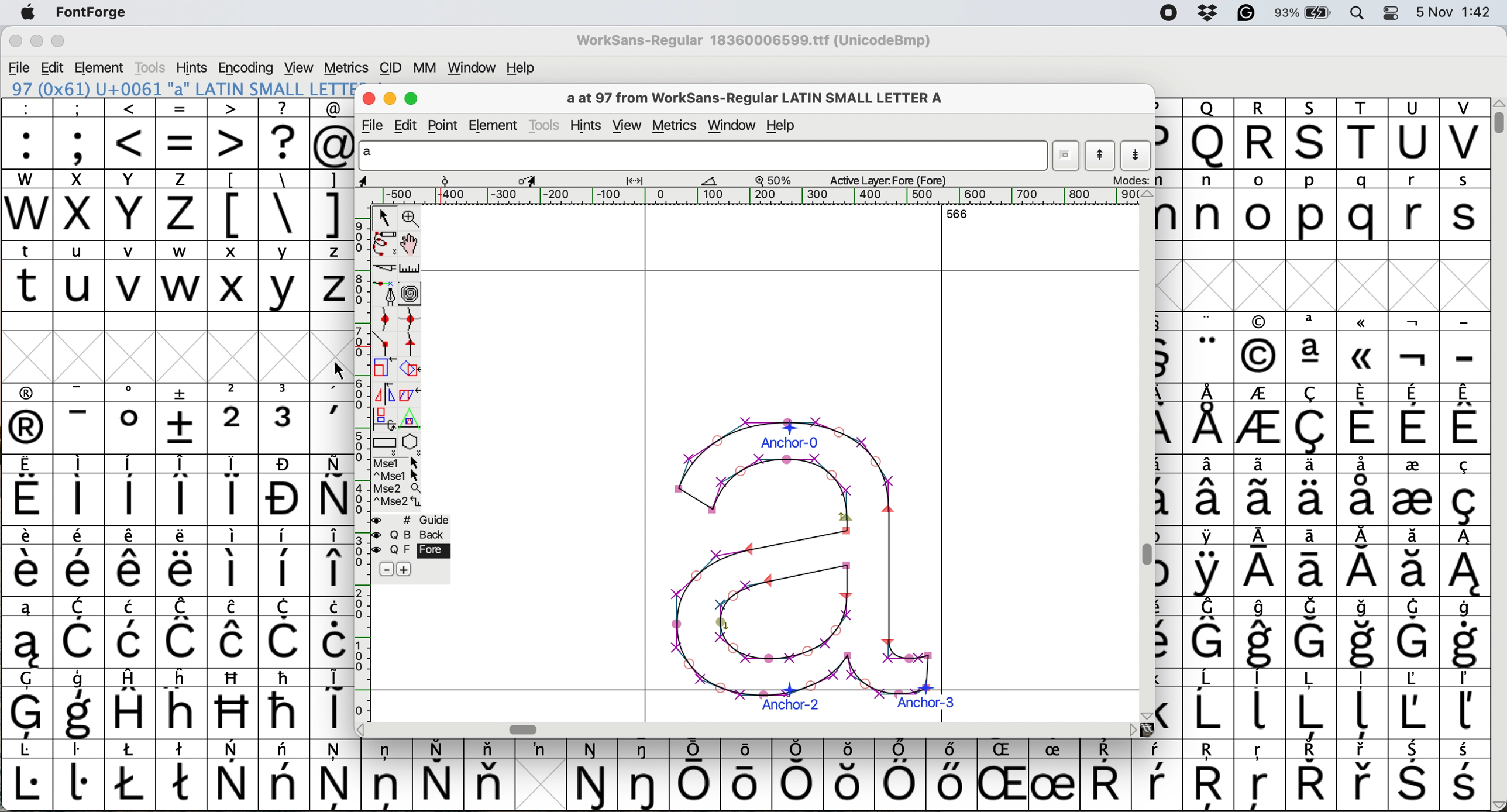  What do you see at coordinates (80, 562) in the screenshot?
I see `symbol` at bounding box center [80, 562].